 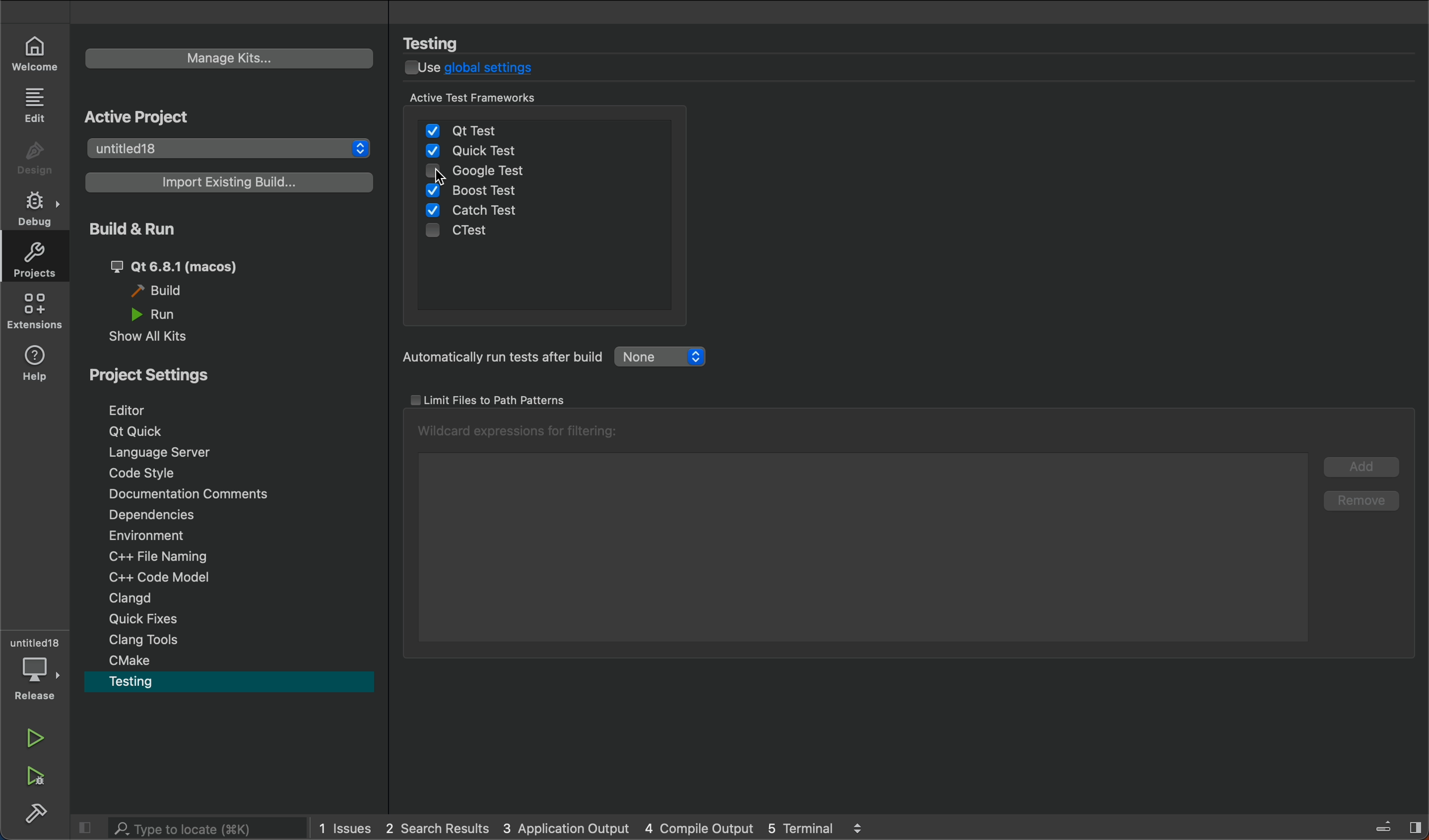 What do you see at coordinates (33, 209) in the screenshot?
I see `debug` at bounding box center [33, 209].